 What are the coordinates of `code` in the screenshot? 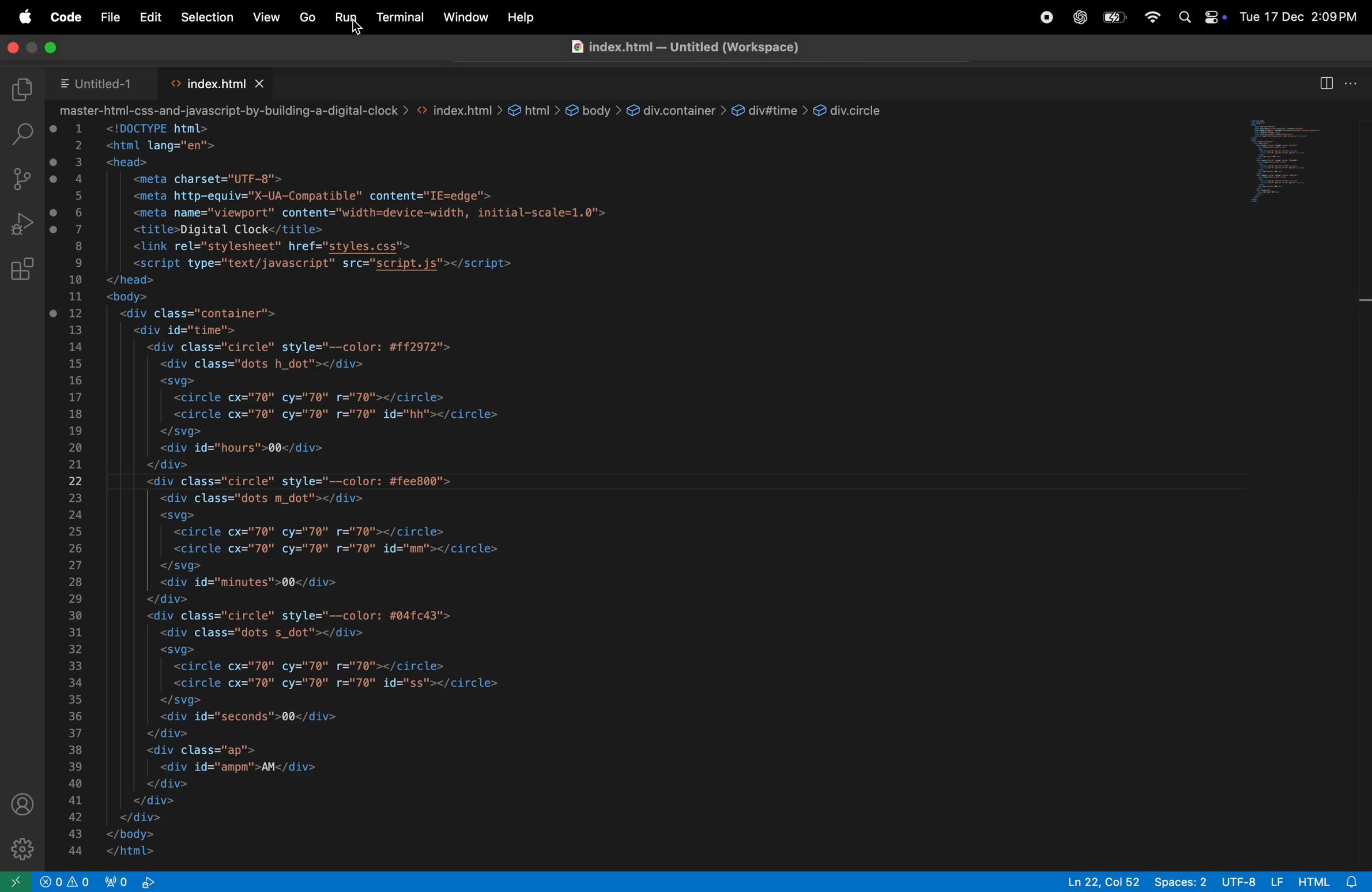 It's located at (65, 17).